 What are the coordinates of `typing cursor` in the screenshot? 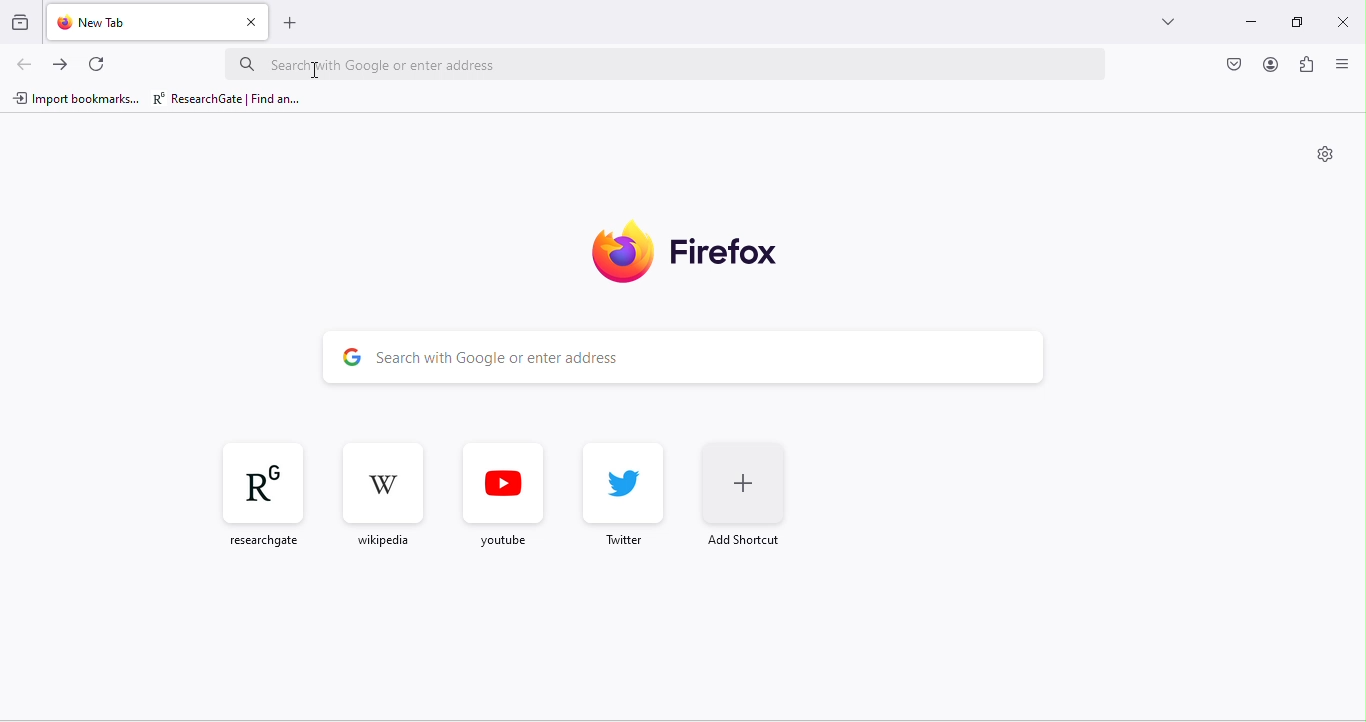 It's located at (318, 68).